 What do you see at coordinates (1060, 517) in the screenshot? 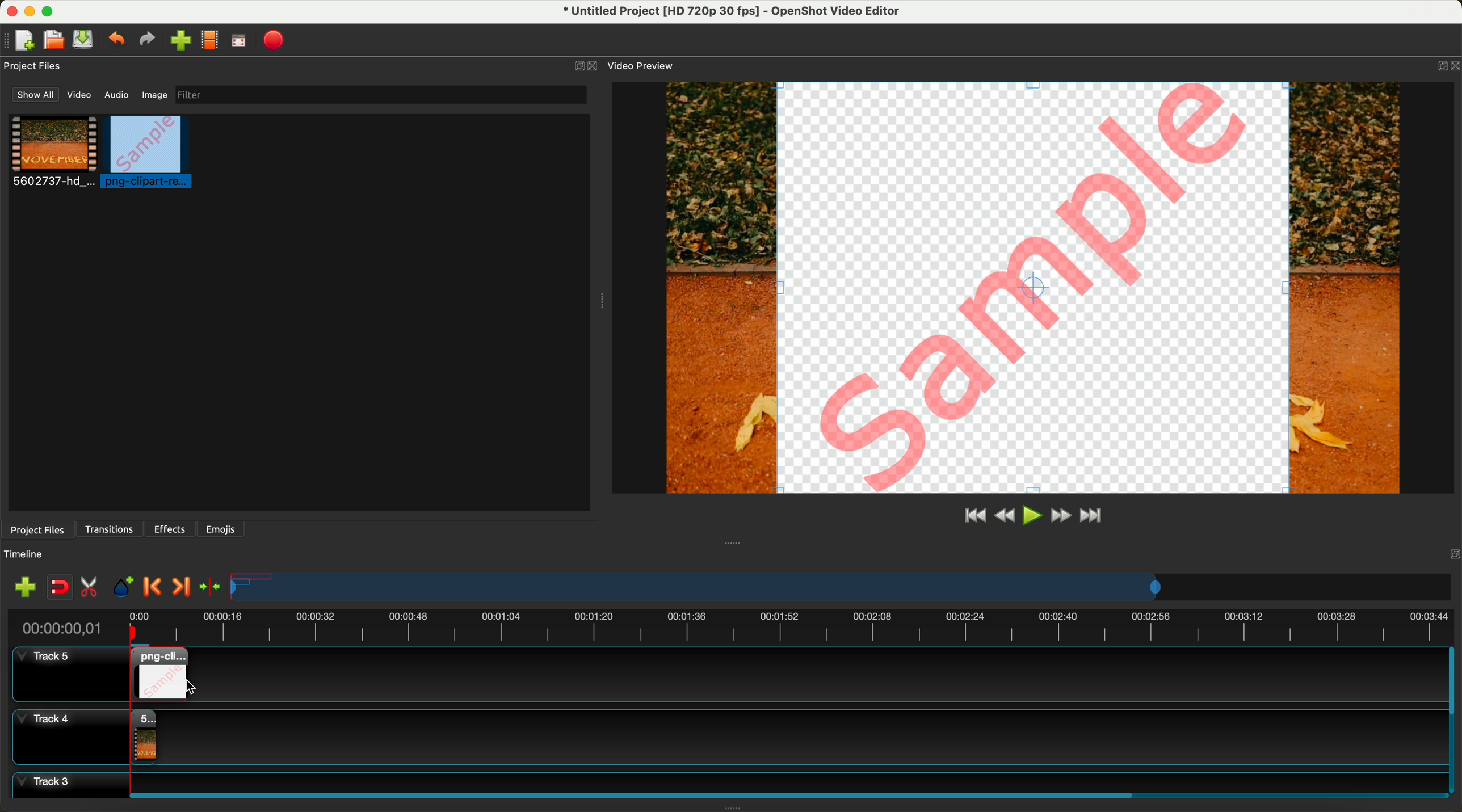
I see `fast foward` at bounding box center [1060, 517].